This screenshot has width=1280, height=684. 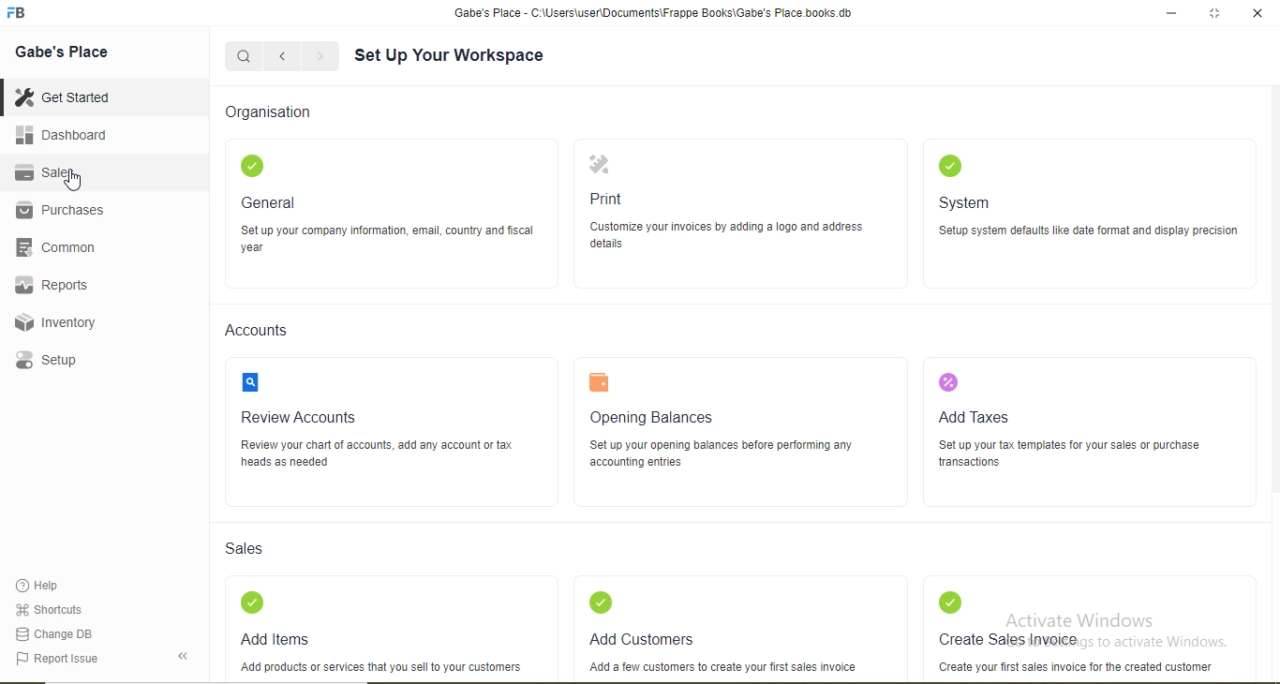 I want to click on ‘Set up your opening balances before performing any
‘accounting entries., so click(x=725, y=456).